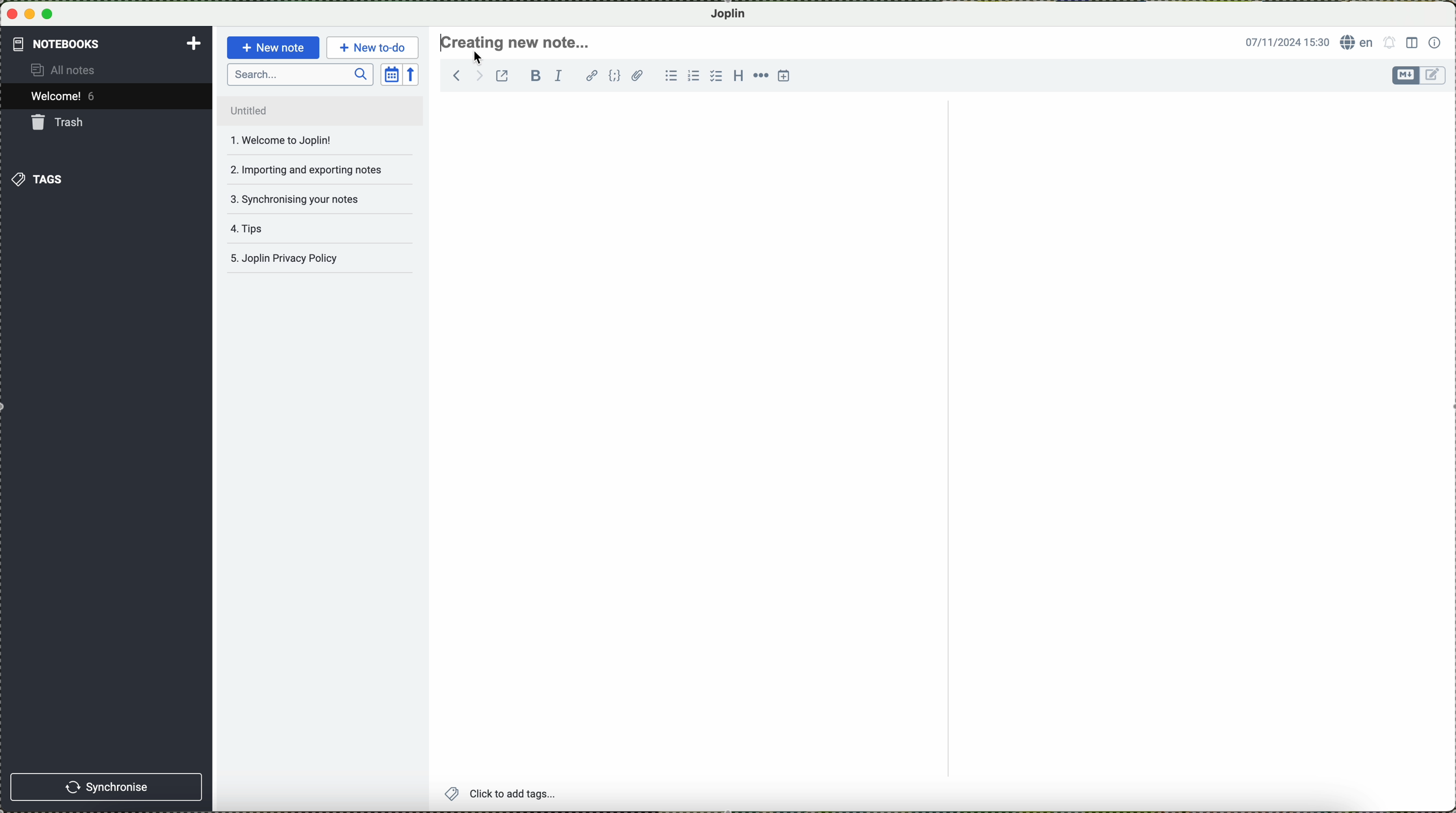 The image size is (1456, 813). What do you see at coordinates (271, 47) in the screenshot?
I see `new note button` at bounding box center [271, 47].